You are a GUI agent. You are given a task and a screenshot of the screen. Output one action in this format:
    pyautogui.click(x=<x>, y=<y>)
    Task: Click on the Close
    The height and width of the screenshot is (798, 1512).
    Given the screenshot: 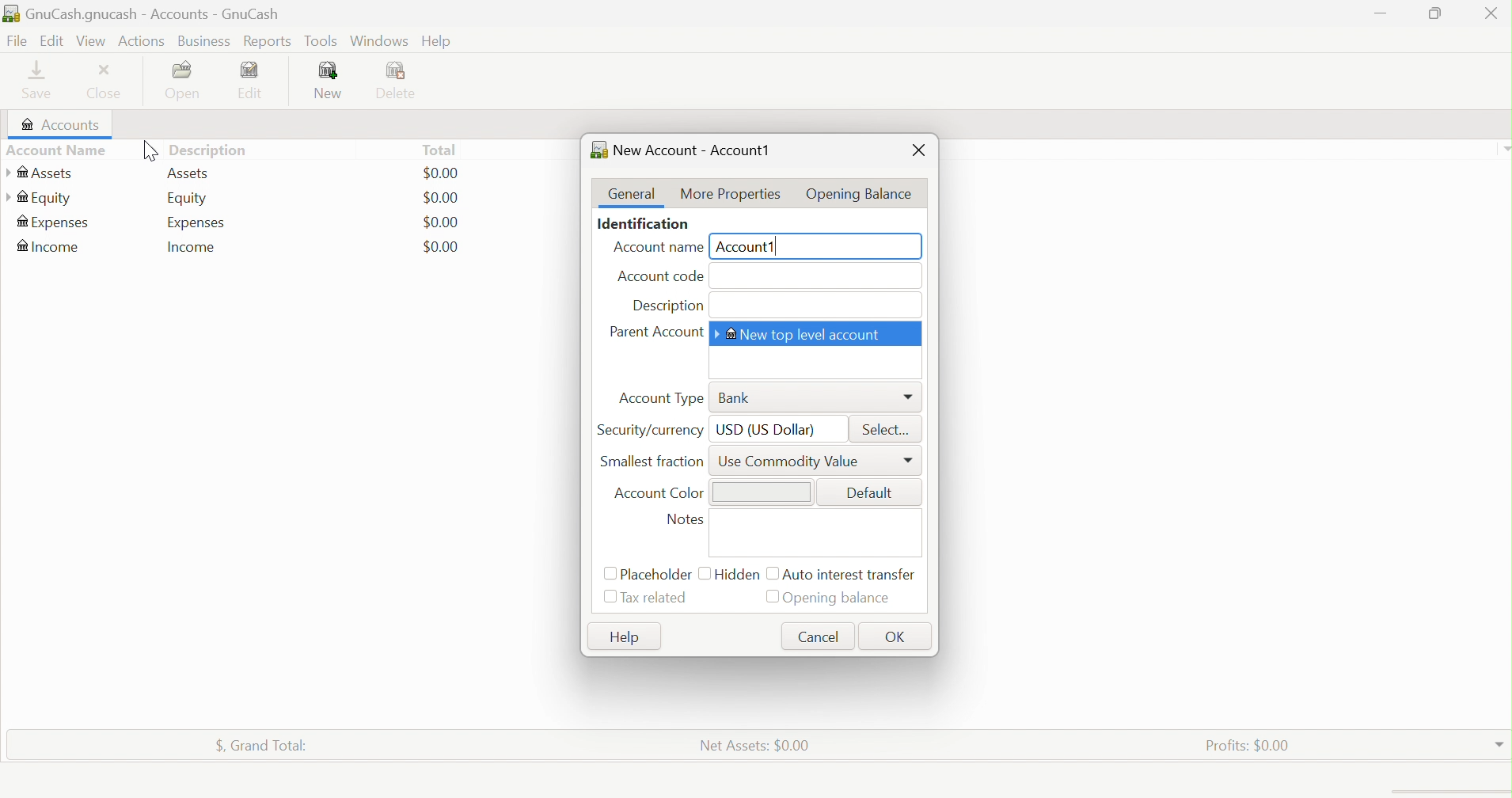 What is the action you would take?
    pyautogui.click(x=1491, y=16)
    